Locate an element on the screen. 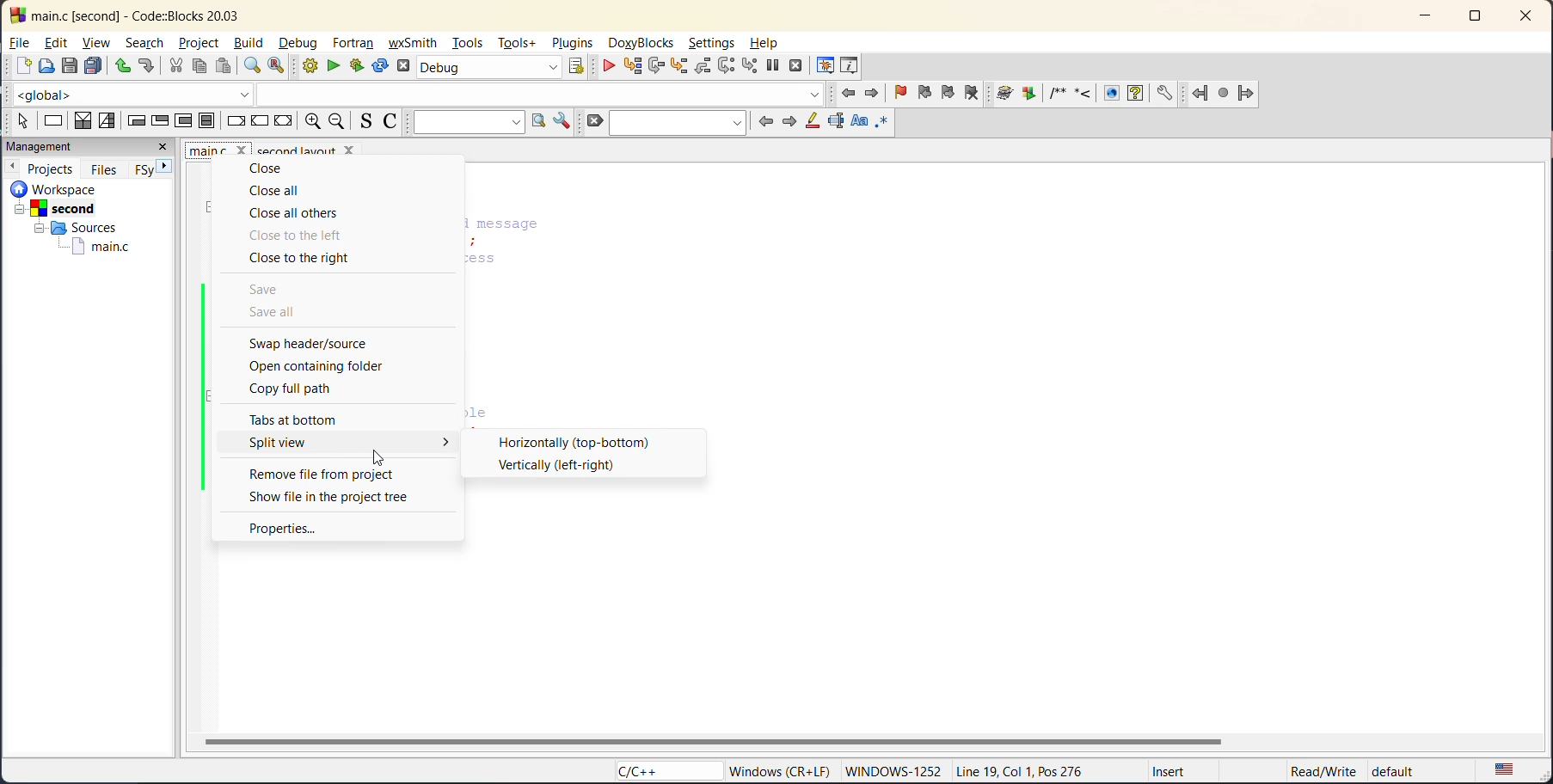 This screenshot has width=1553, height=784. save is located at coordinates (267, 291).